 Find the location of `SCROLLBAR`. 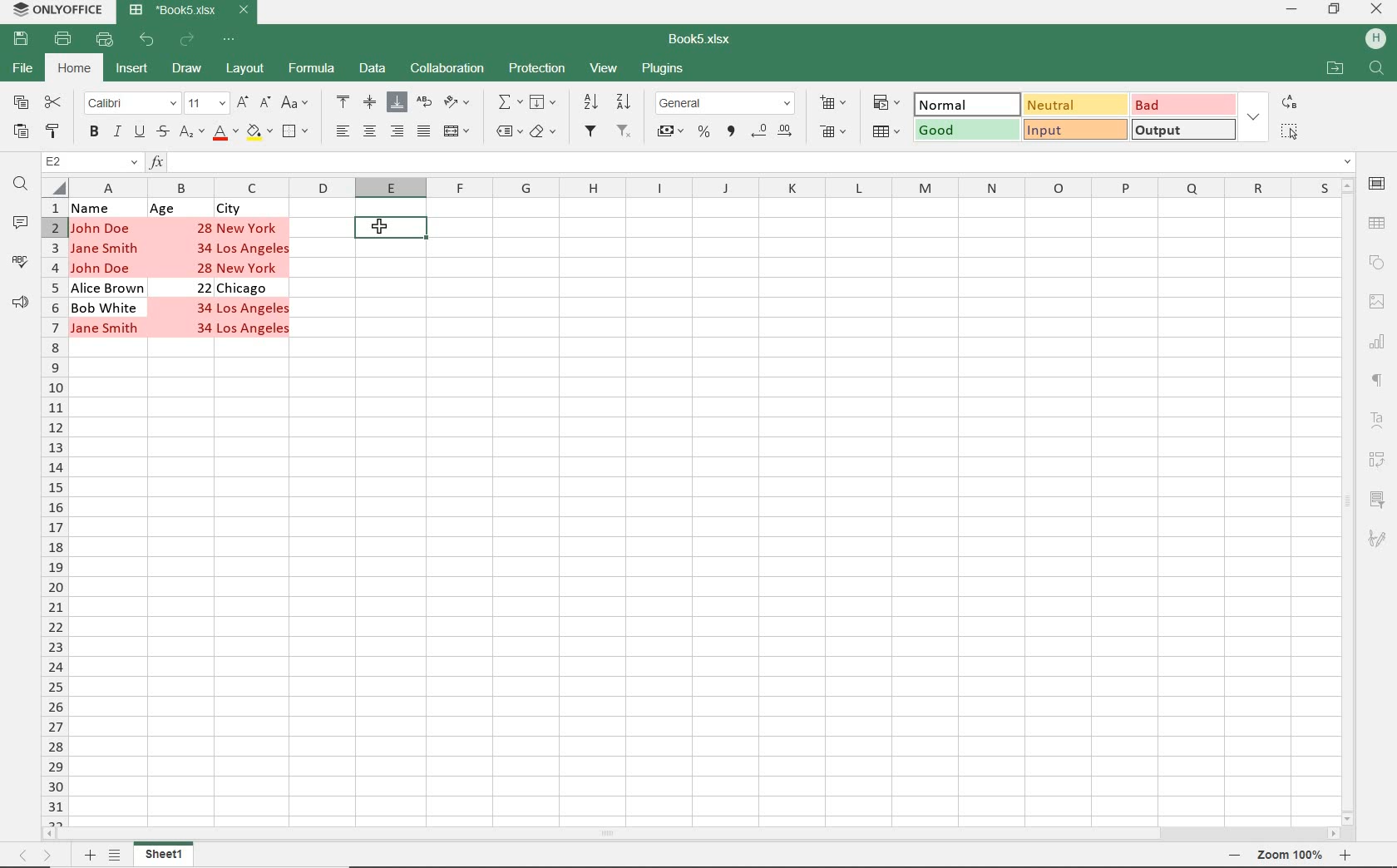

SCROLLBAR is located at coordinates (689, 834).